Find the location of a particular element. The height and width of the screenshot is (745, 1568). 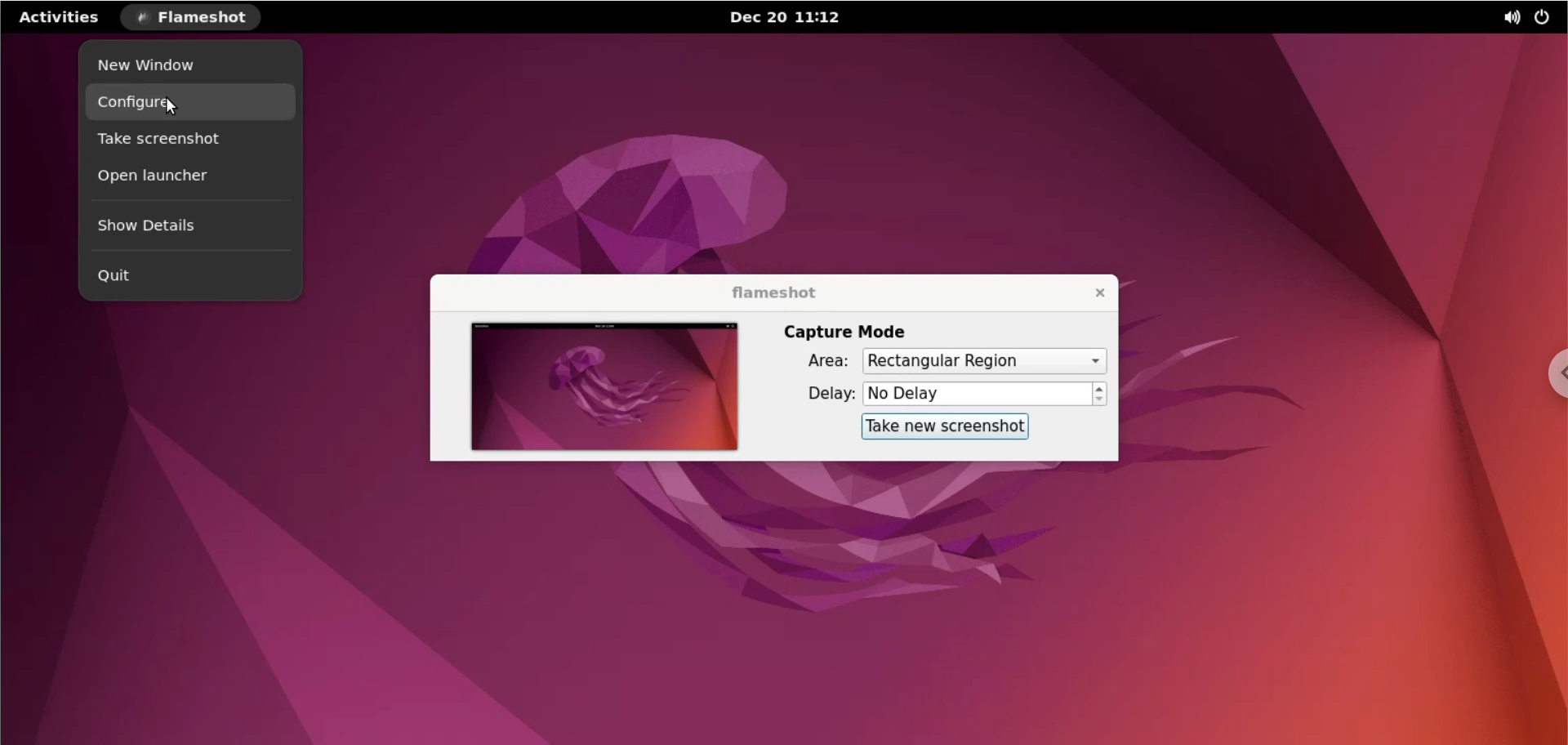

flameshot is located at coordinates (768, 289).